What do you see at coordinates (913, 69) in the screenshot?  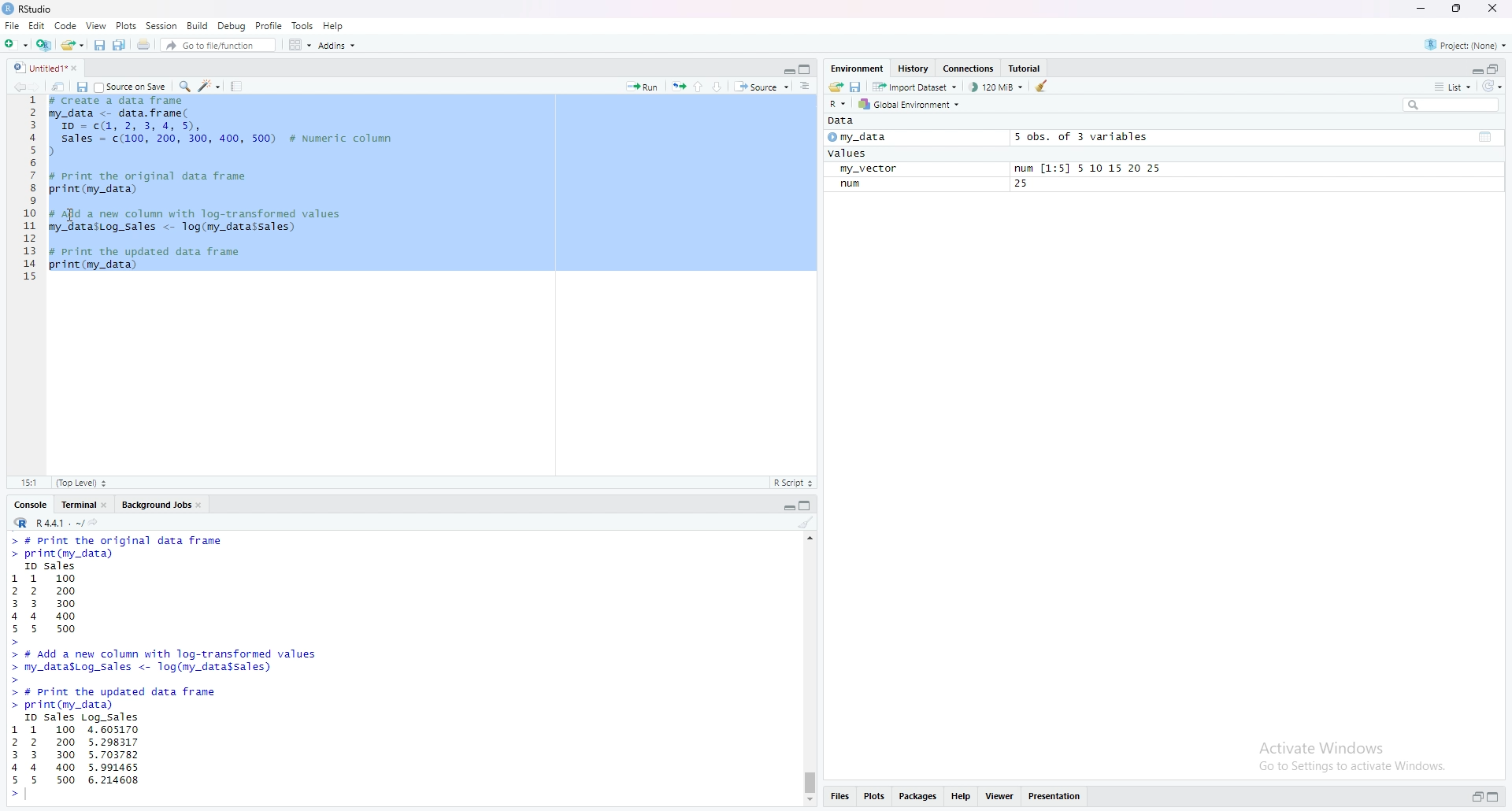 I see `history` at bounding box center [913, 69].